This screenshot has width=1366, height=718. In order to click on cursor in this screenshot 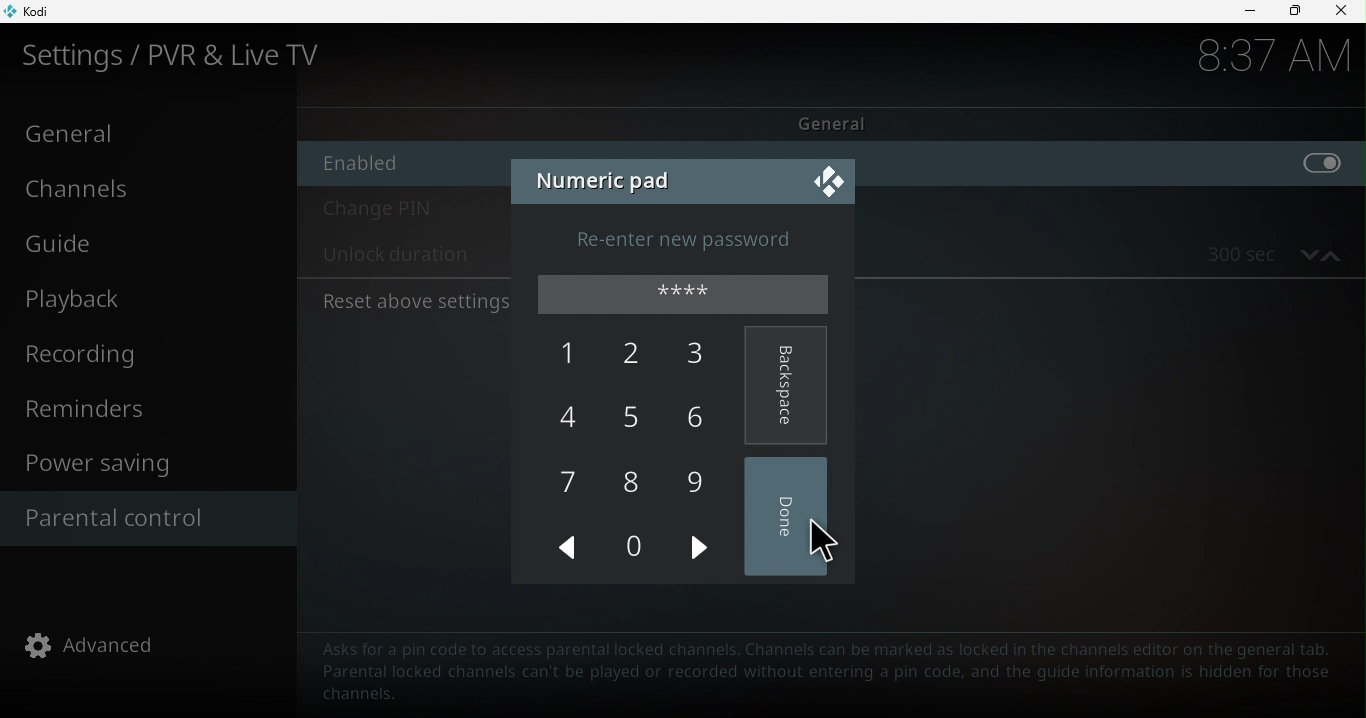, I will do `click(815, 544)`.